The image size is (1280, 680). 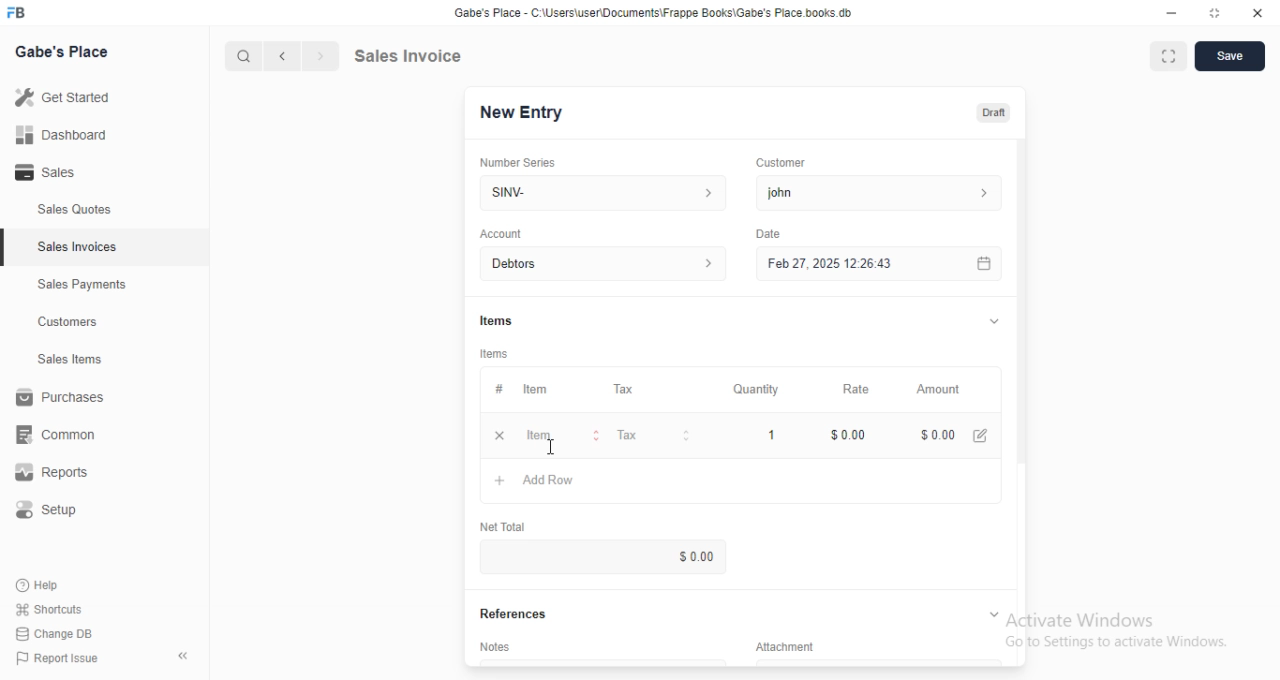 I want to click on Expand, so click(x=989, y=321).